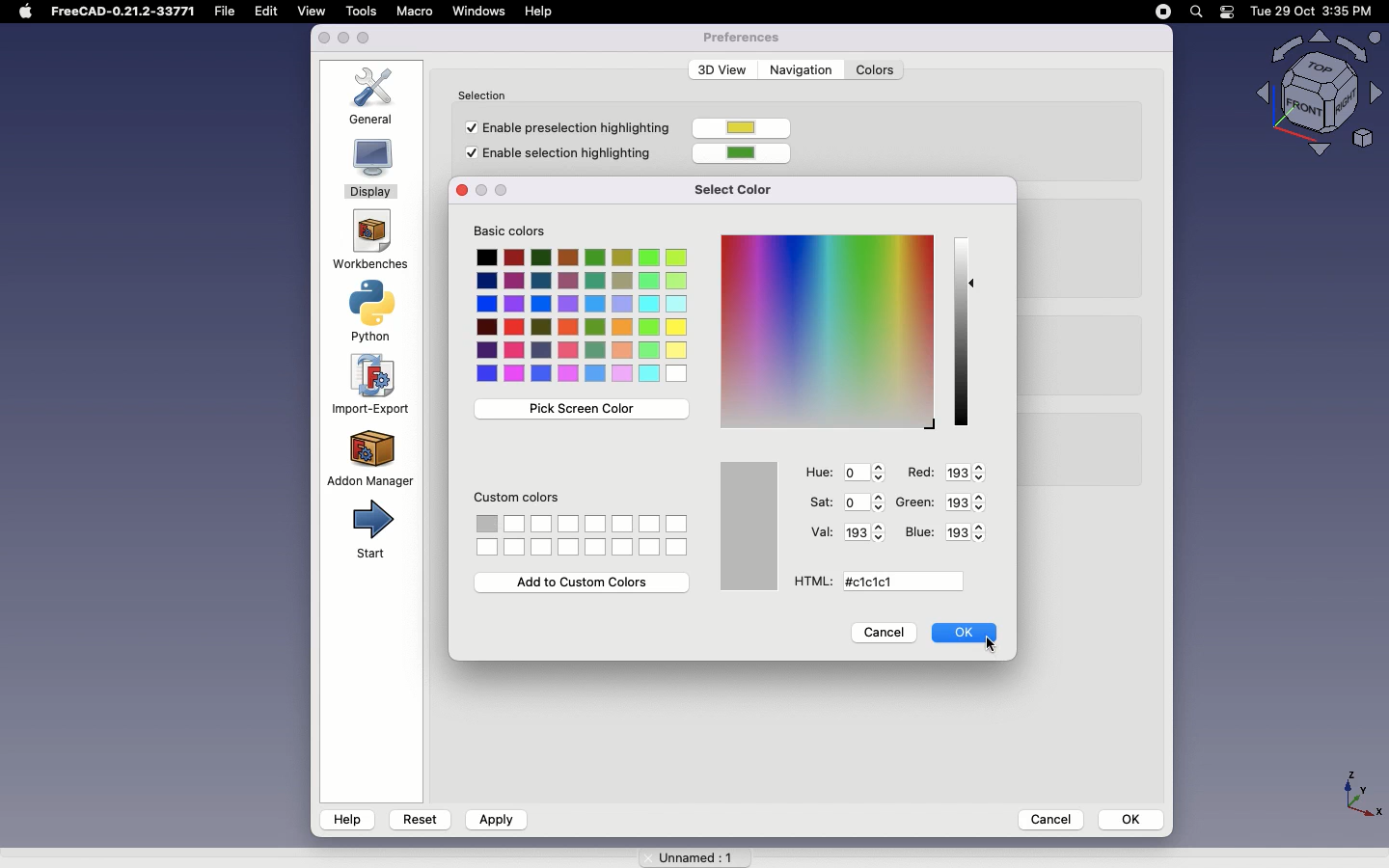  I want to click on 193, so click(963, 472).